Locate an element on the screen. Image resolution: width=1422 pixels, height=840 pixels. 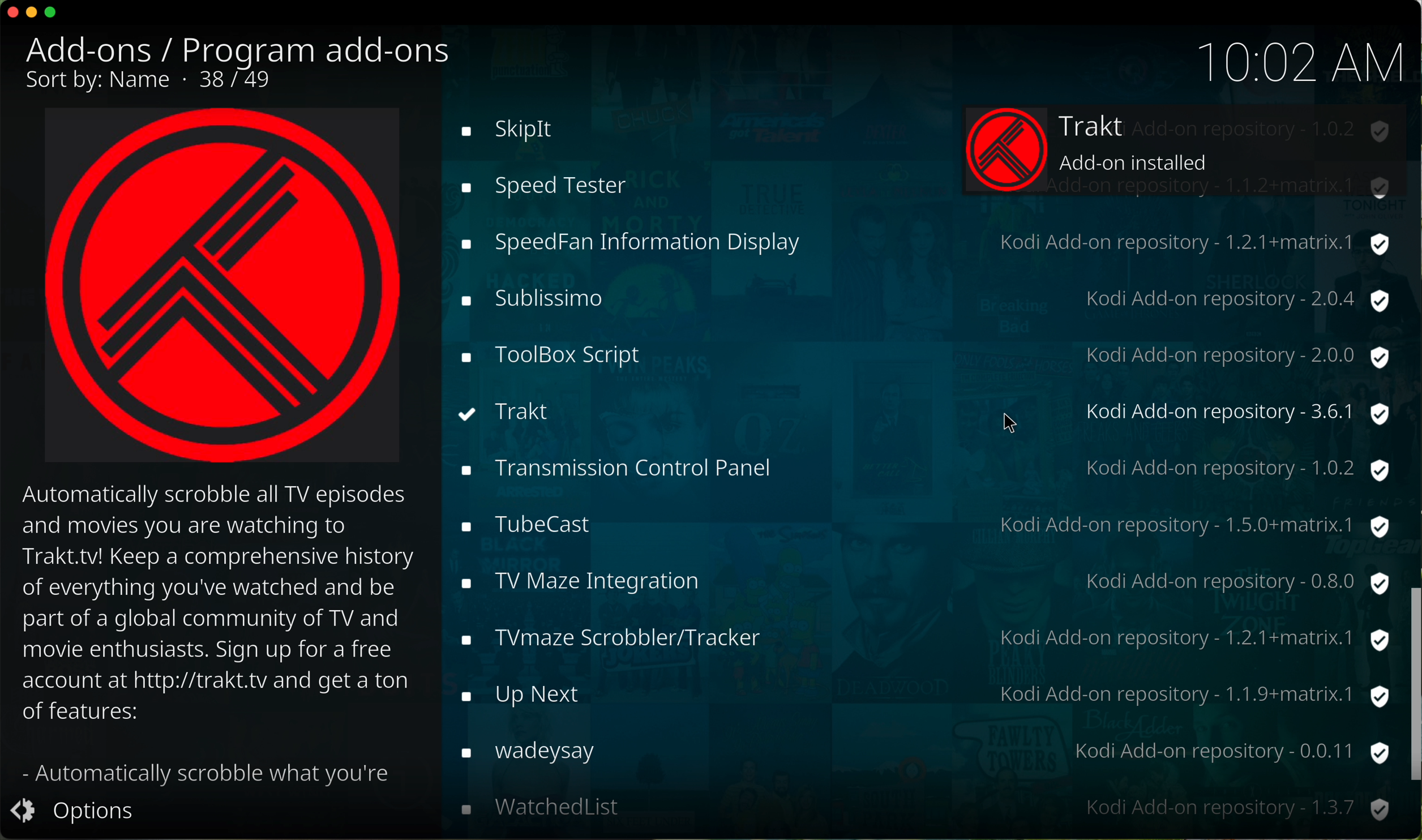
transmission control panel is located at coordinates (920, 240).